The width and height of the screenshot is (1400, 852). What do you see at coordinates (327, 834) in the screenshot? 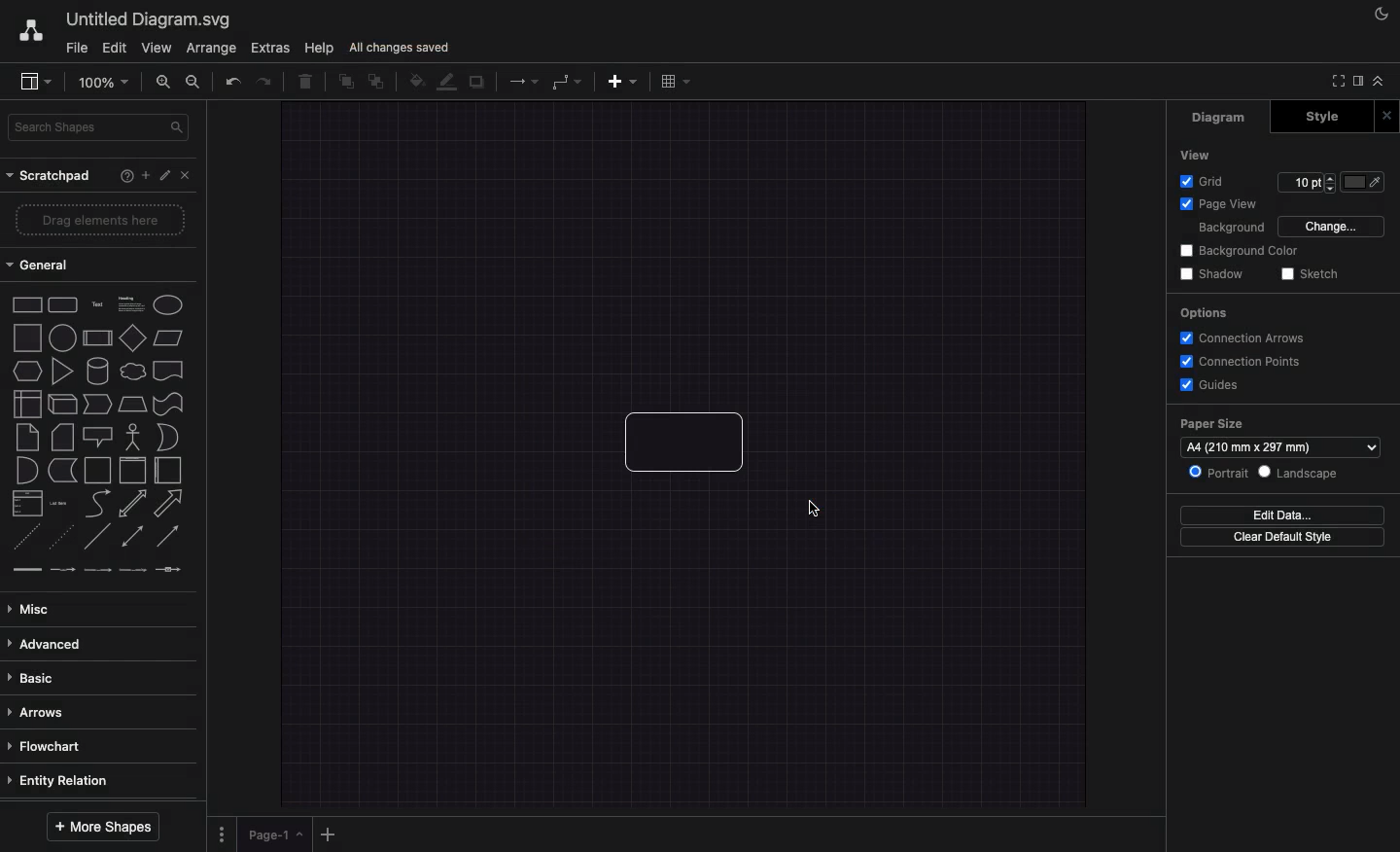
I see `Add` at bounding box center [327, 834].